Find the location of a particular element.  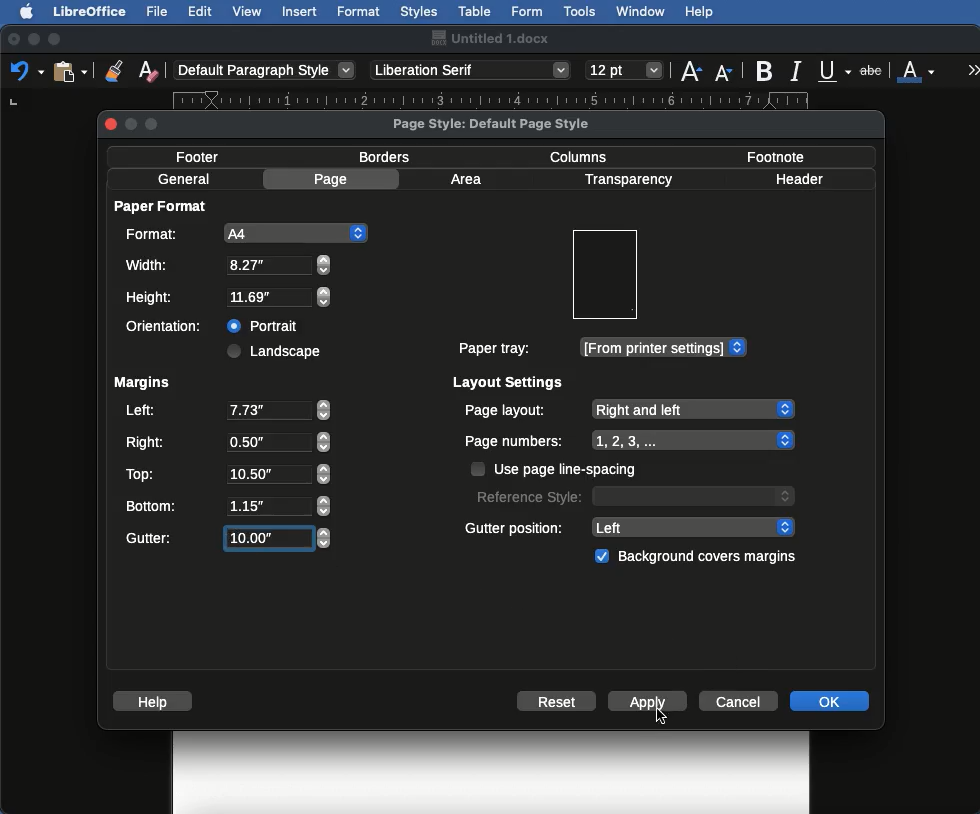

Clipboard is located at coordinates (70, 70).